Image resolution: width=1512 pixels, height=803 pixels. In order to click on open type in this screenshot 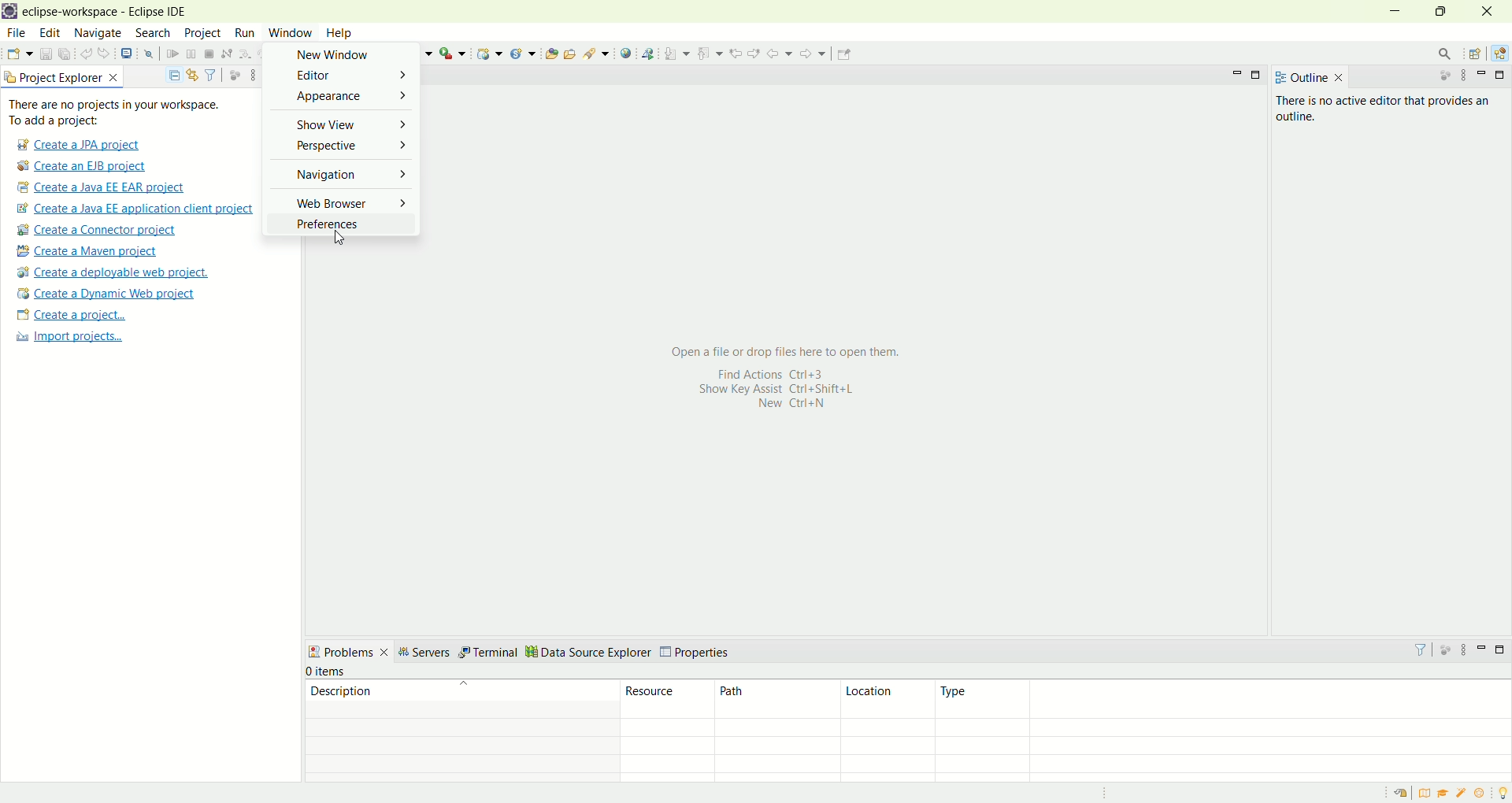, I will do `click(550, 53)`.